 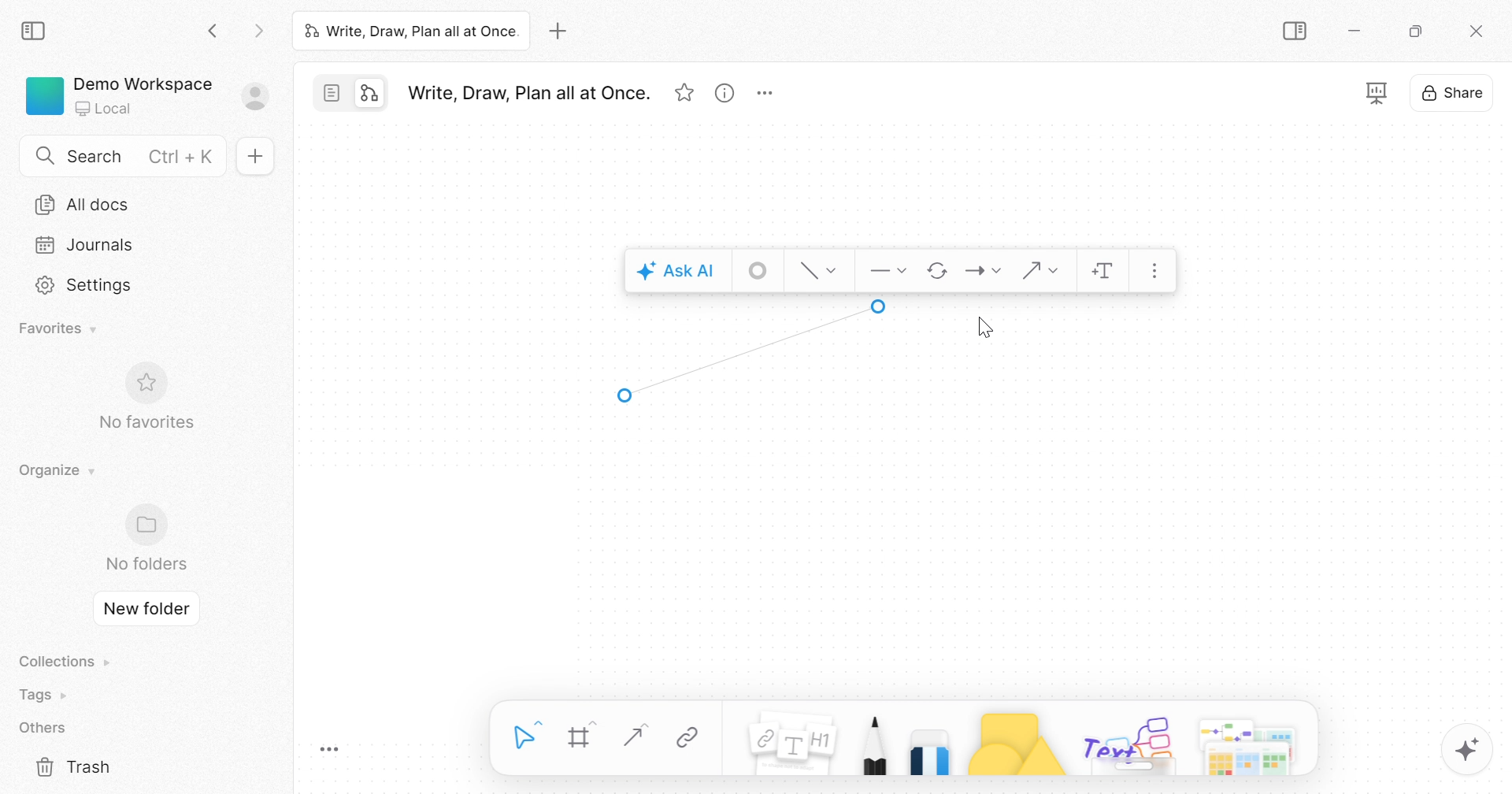 I want to click on Start point style, so click(x=886, y=269).